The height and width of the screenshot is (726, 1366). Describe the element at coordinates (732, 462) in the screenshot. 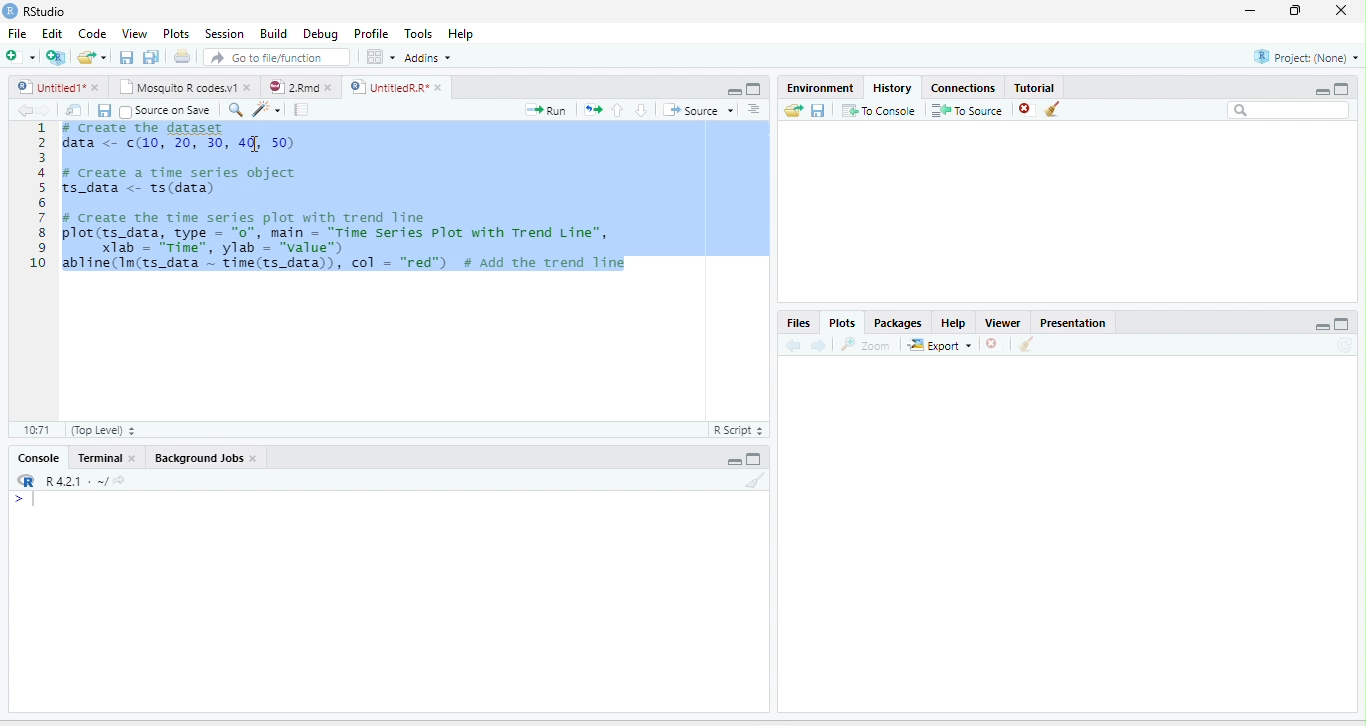

I see `Minimize` at that location.